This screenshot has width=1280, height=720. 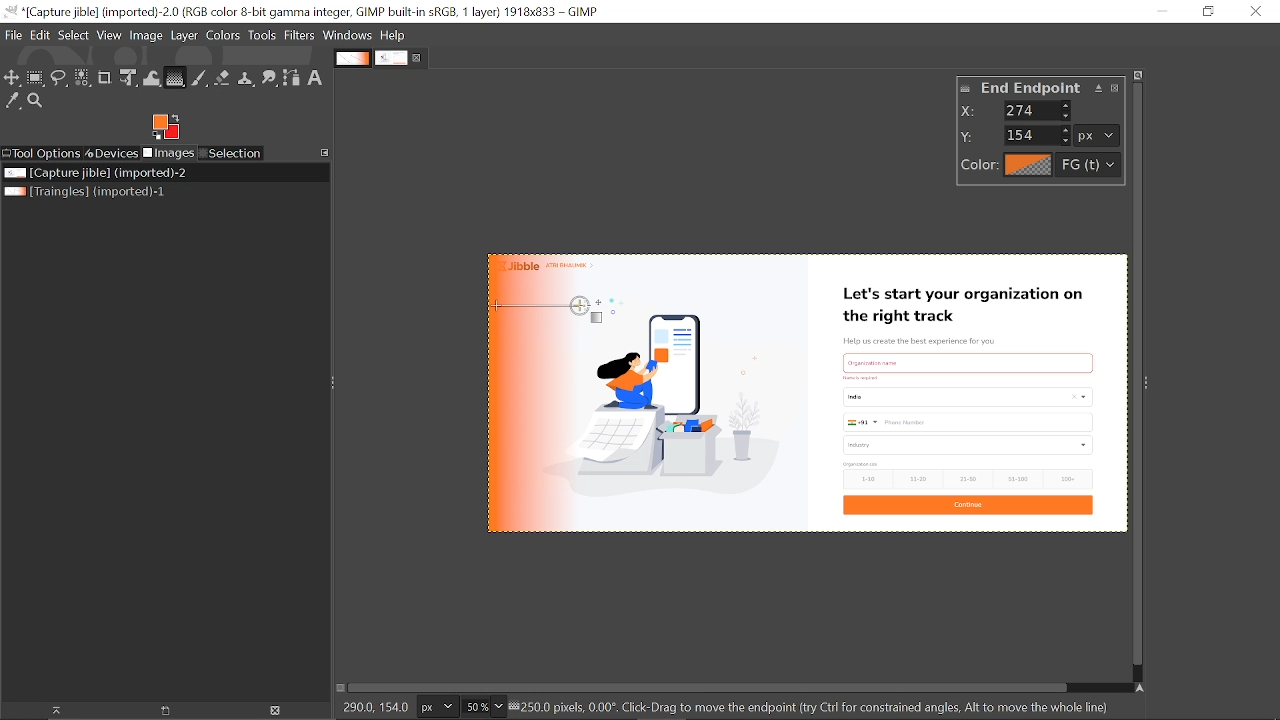 What do you see at coordinates (110, 35) in the screenshot?
I see `View` at bounding box center [110, 35].